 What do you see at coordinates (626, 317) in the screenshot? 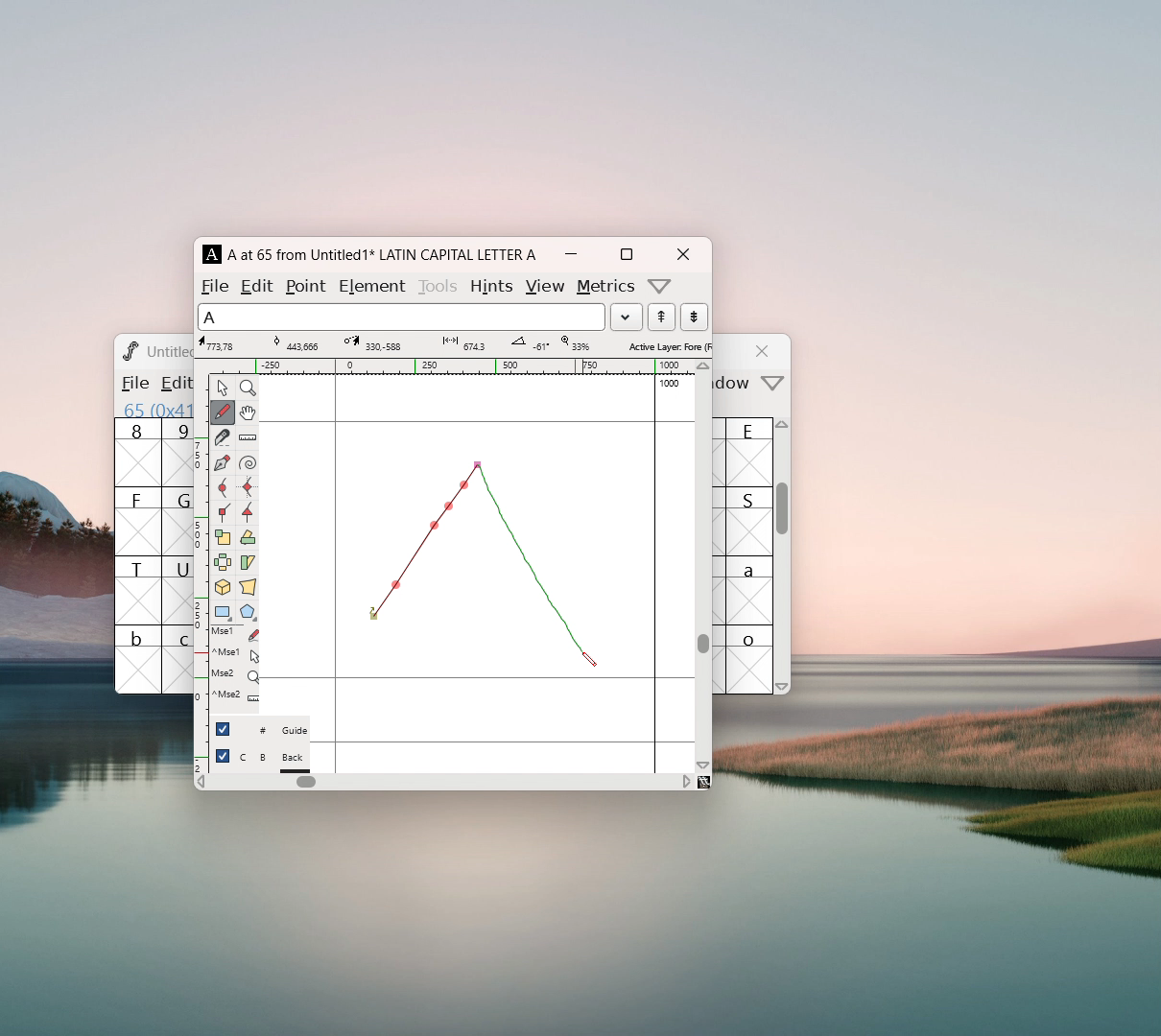
I see `load word list` at bounding box center [626, 317].